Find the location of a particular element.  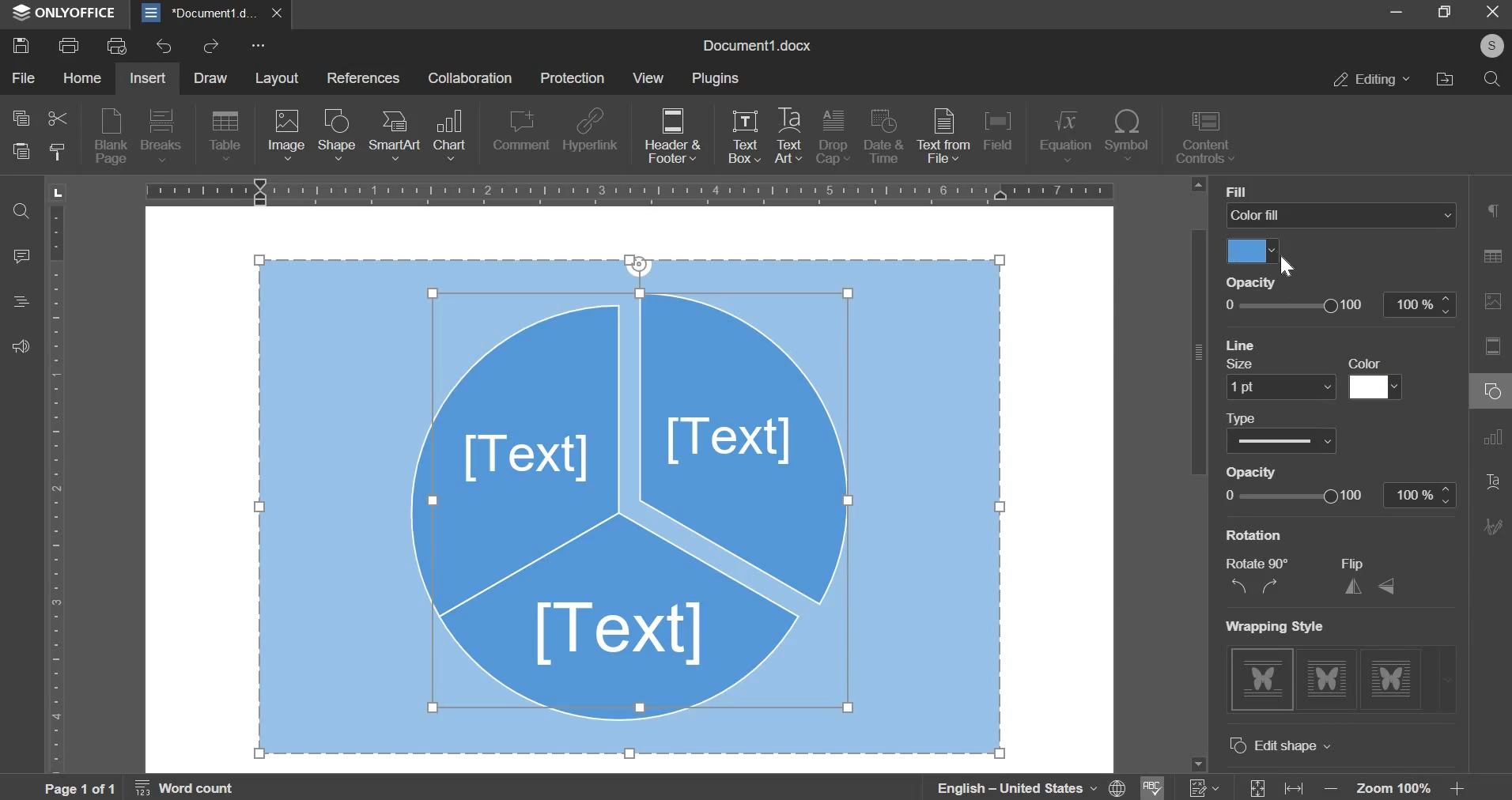

redo is located at coordinates (214, 46).